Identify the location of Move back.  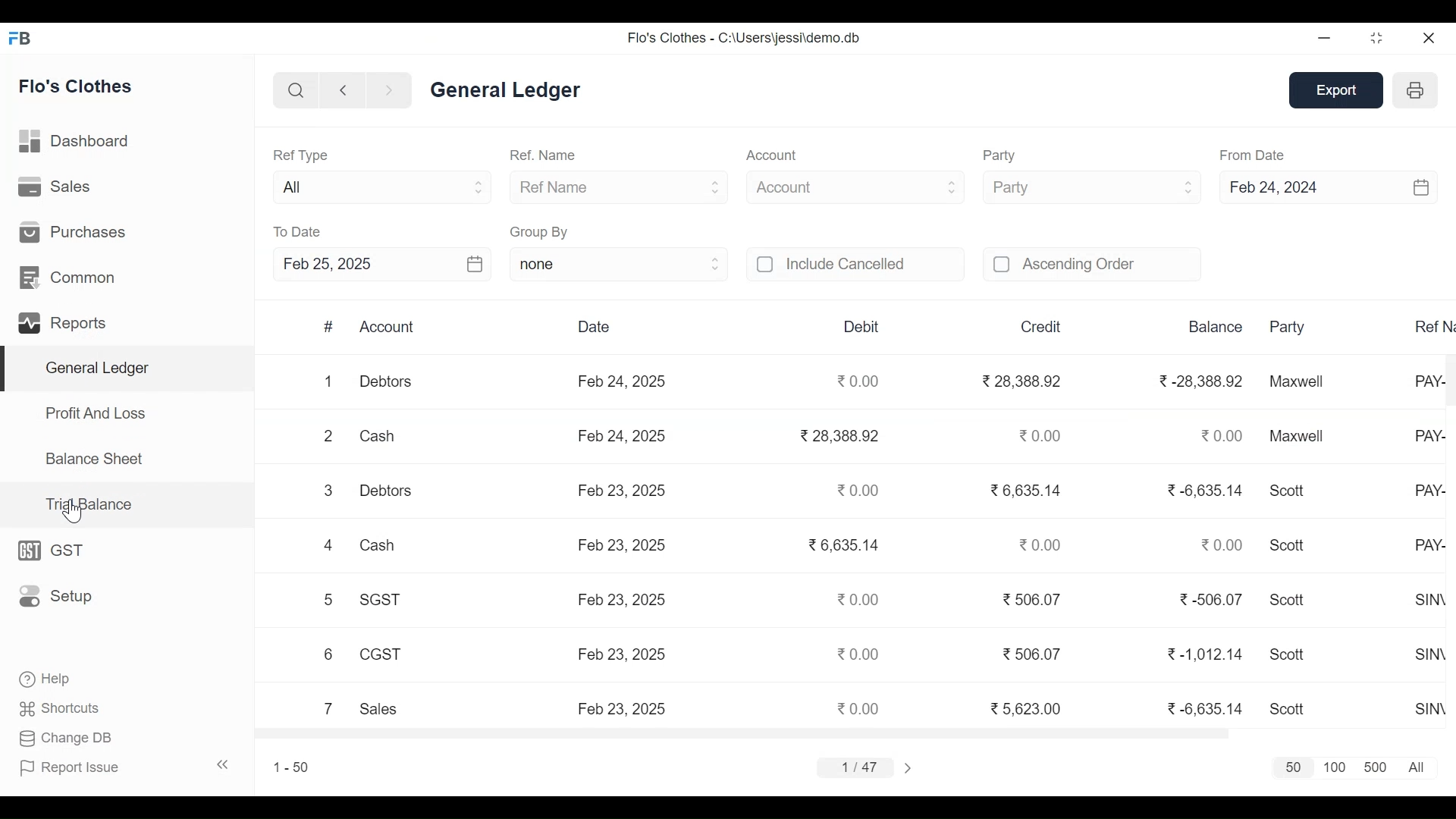
(341, 89).